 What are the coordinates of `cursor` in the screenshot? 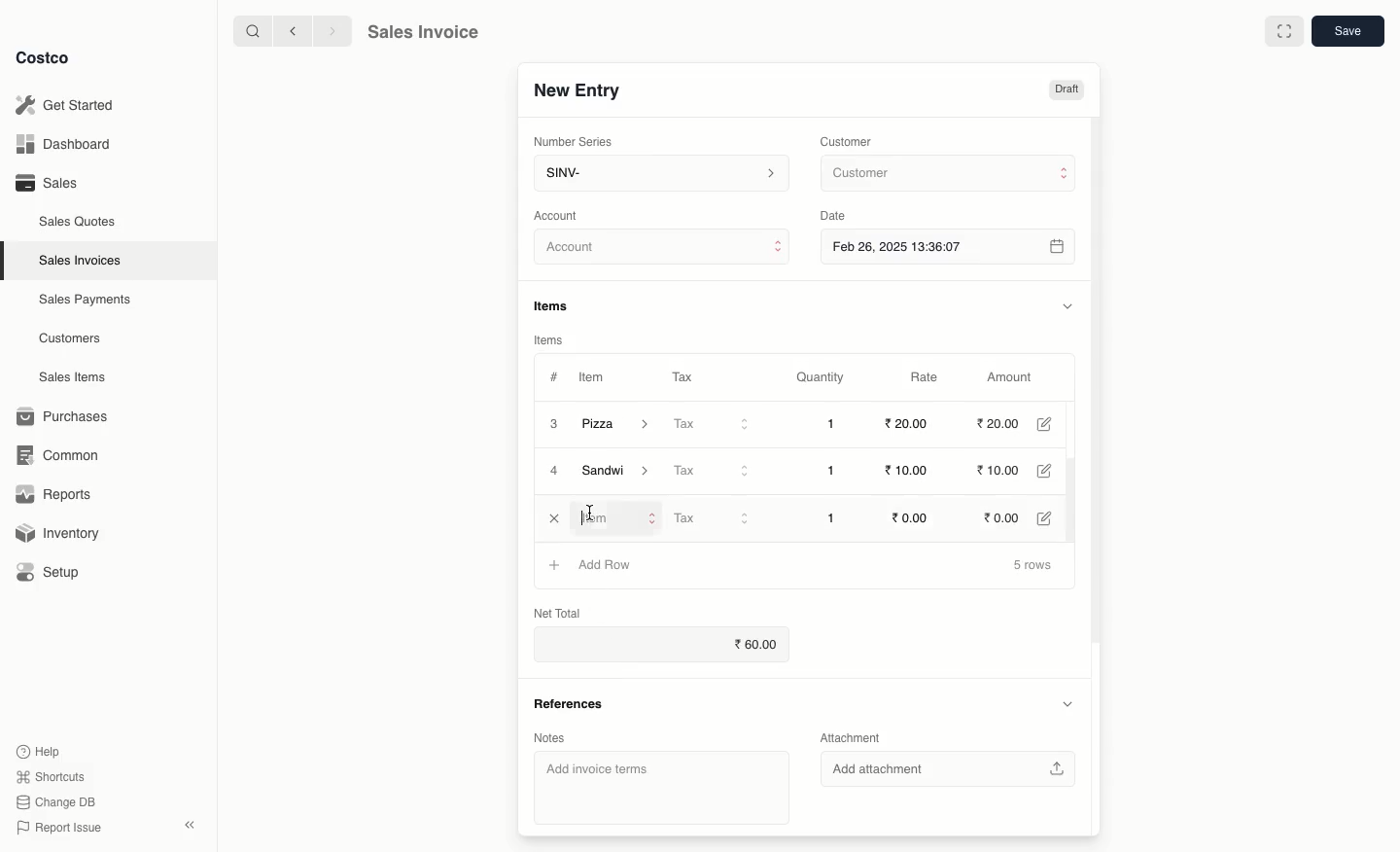 It's located at (592, 509).